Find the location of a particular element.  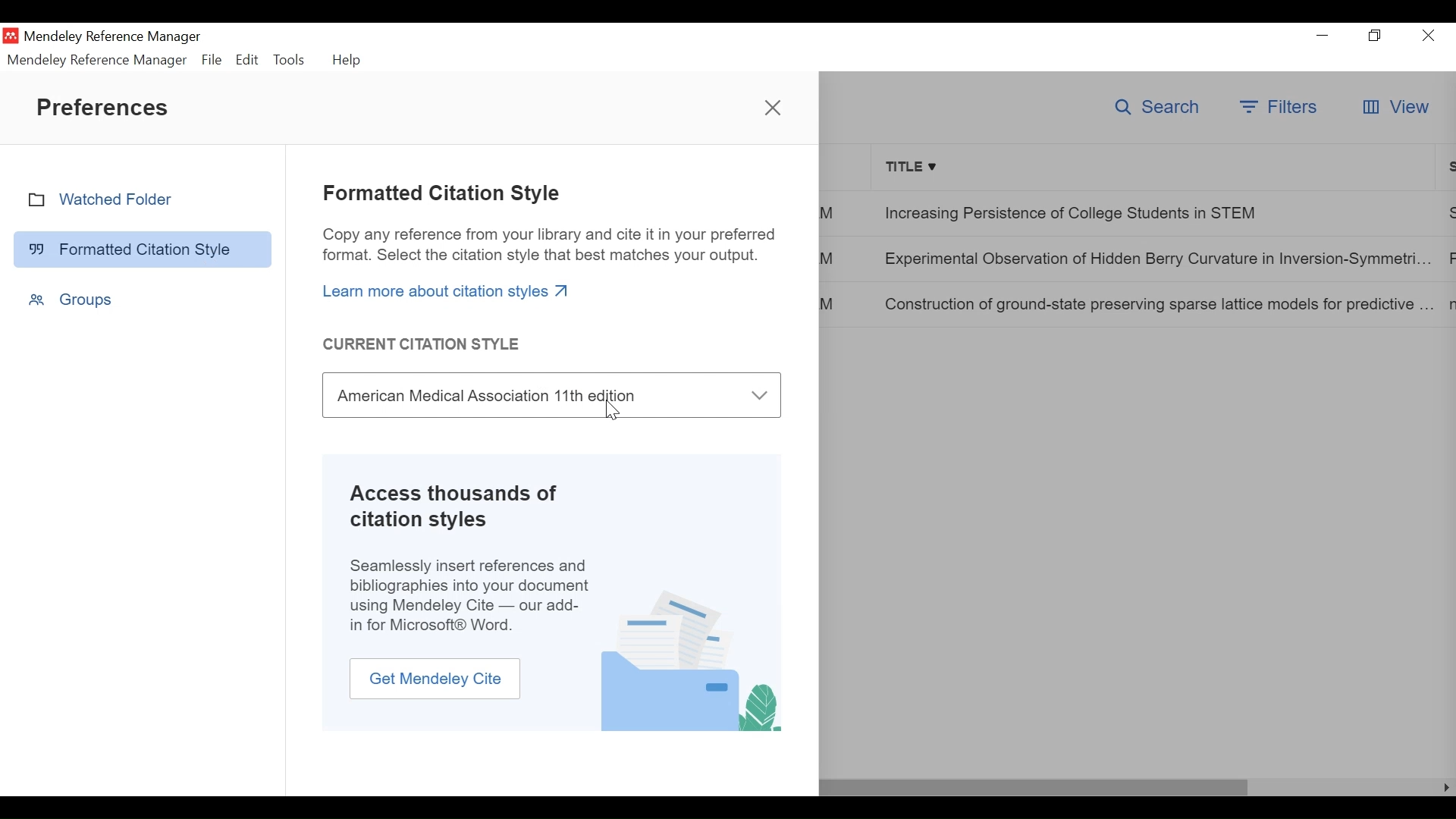

Restore is located at coordinates (1376, 36).